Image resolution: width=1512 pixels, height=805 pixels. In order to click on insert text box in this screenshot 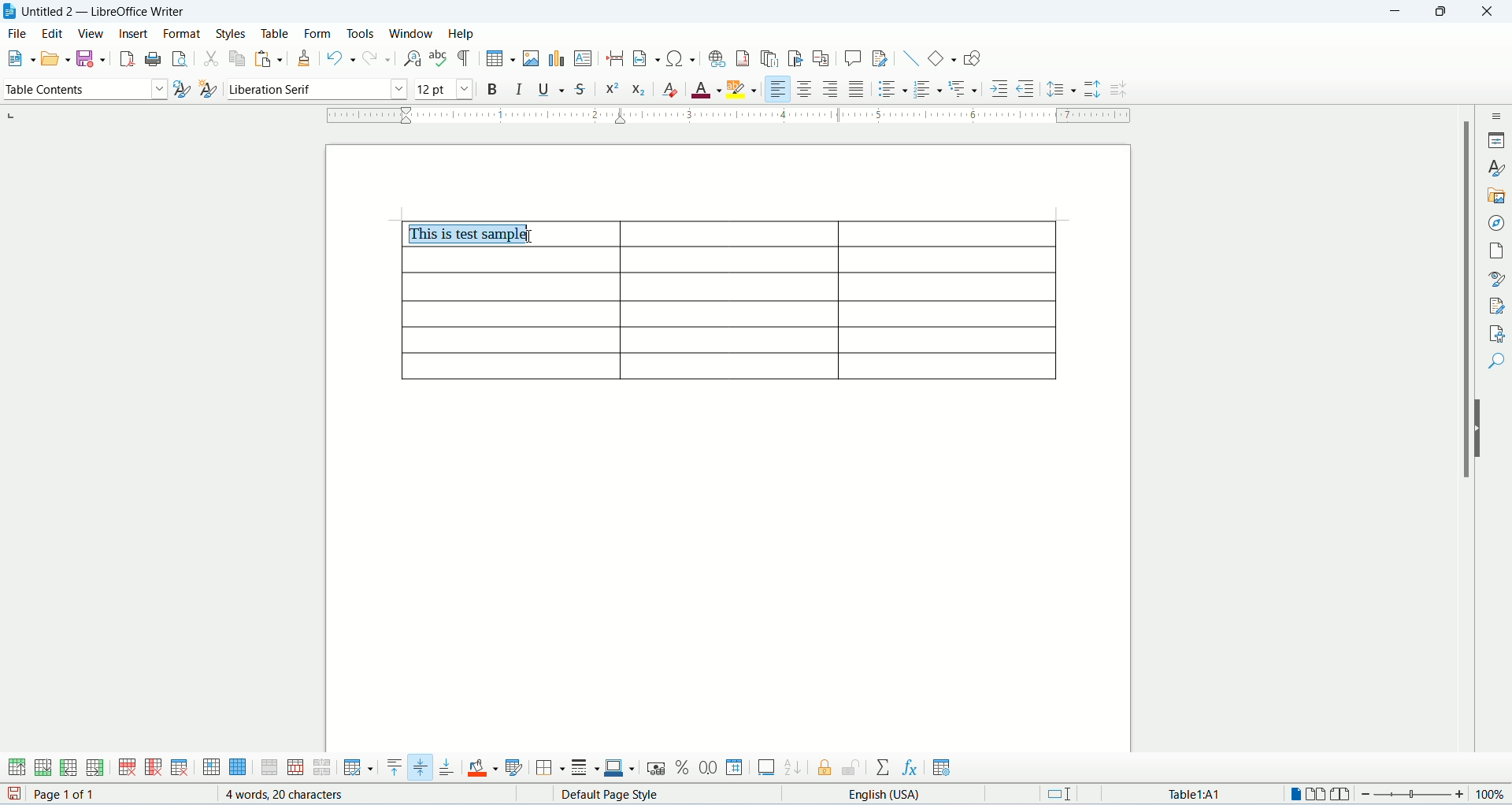, I will do `click(584, 59)`.